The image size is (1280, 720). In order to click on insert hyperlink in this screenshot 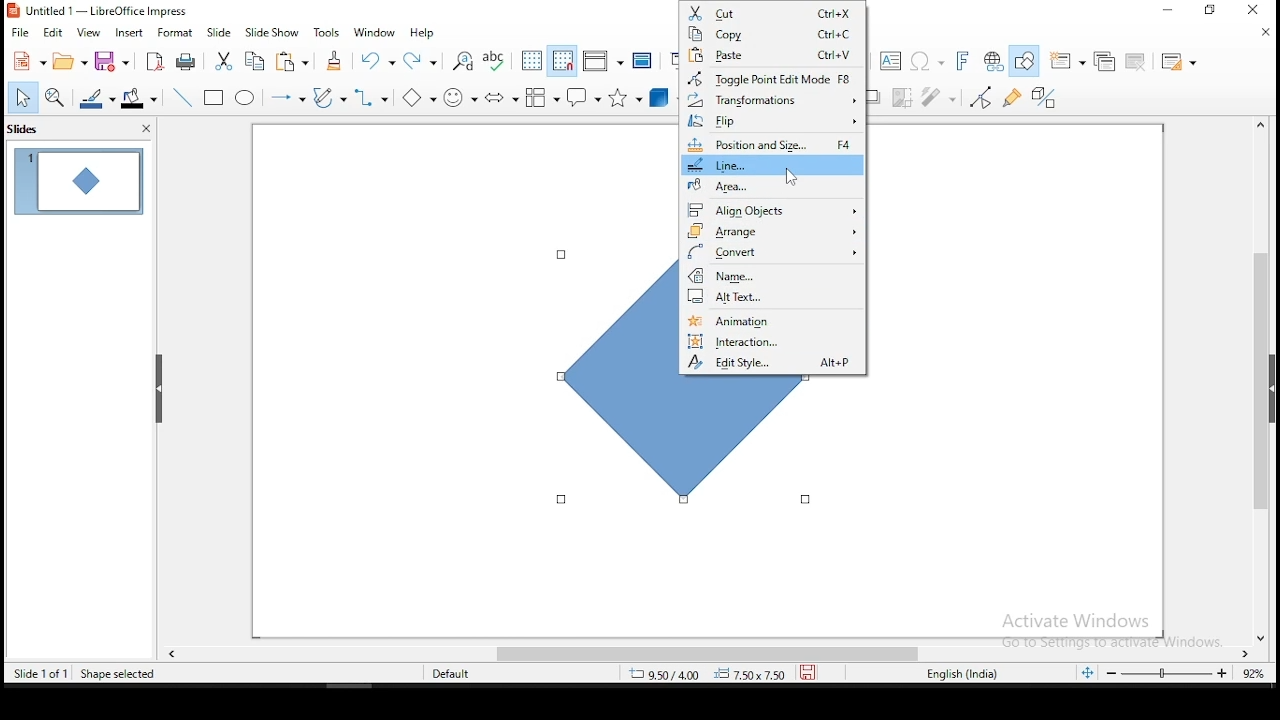, I will do `click(994, 61)`.